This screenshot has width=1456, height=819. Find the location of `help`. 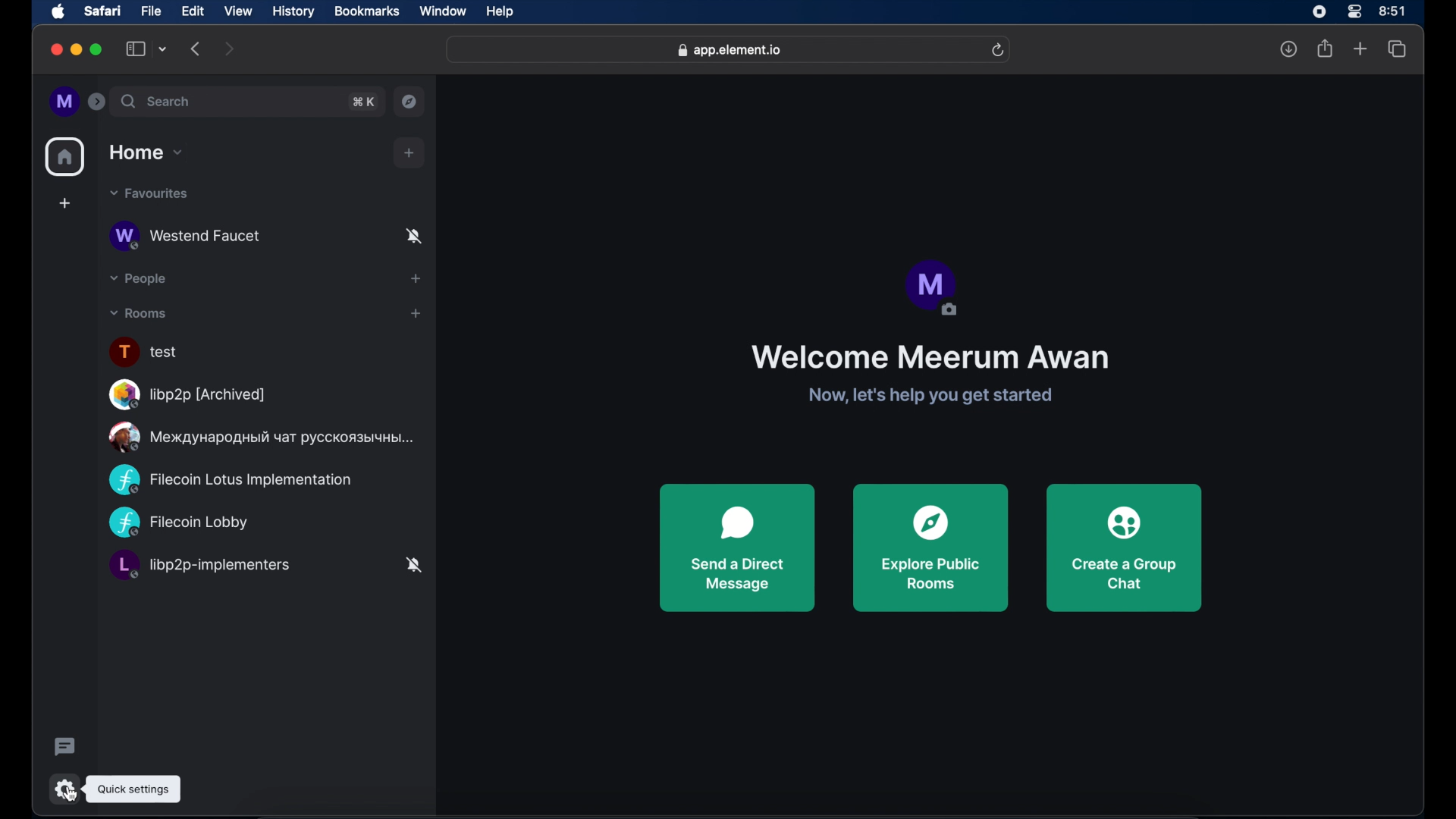

help is located at coordinates (500, 13).